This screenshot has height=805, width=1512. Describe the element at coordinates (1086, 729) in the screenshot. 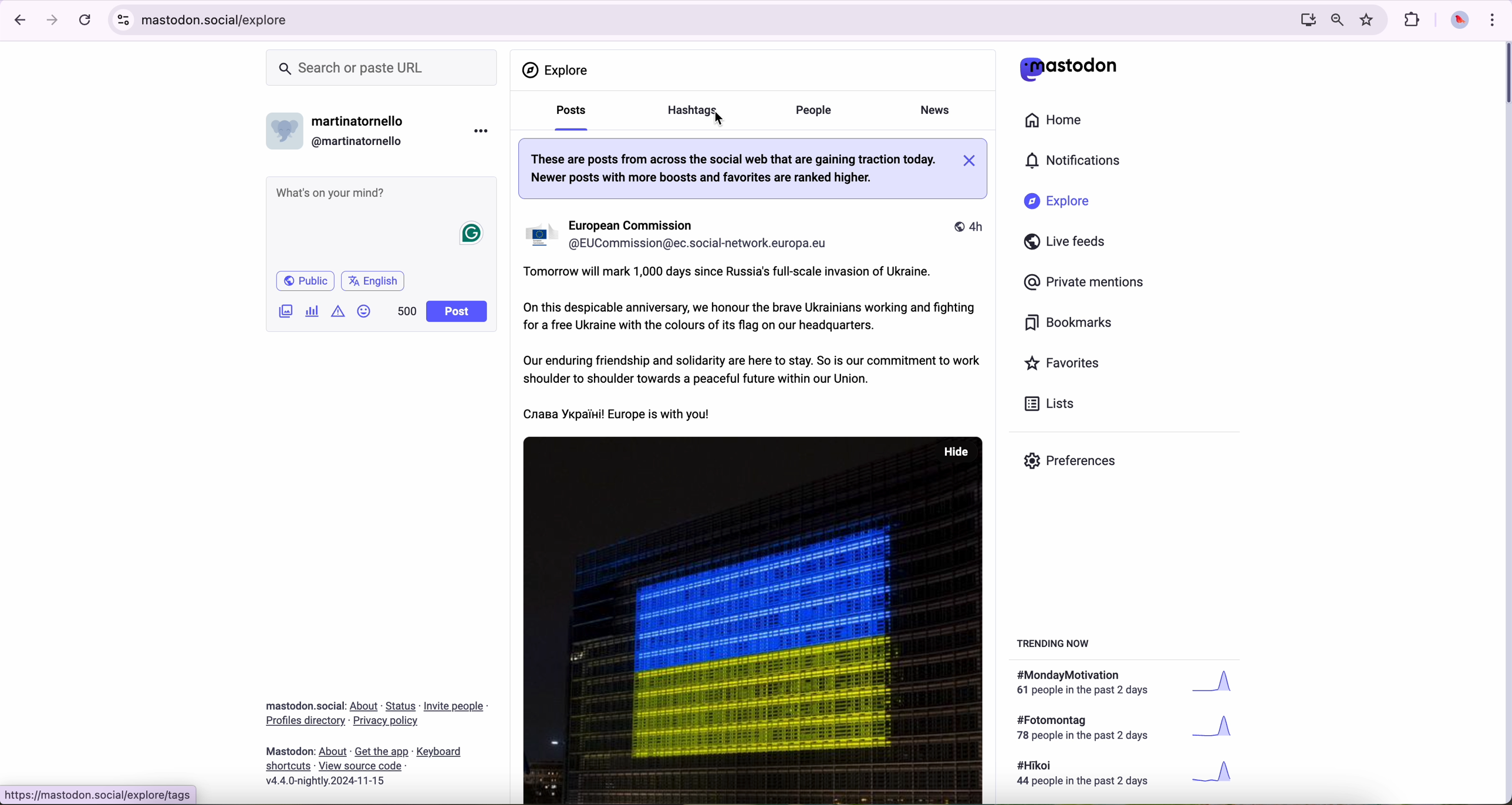

I see `text` at that location.